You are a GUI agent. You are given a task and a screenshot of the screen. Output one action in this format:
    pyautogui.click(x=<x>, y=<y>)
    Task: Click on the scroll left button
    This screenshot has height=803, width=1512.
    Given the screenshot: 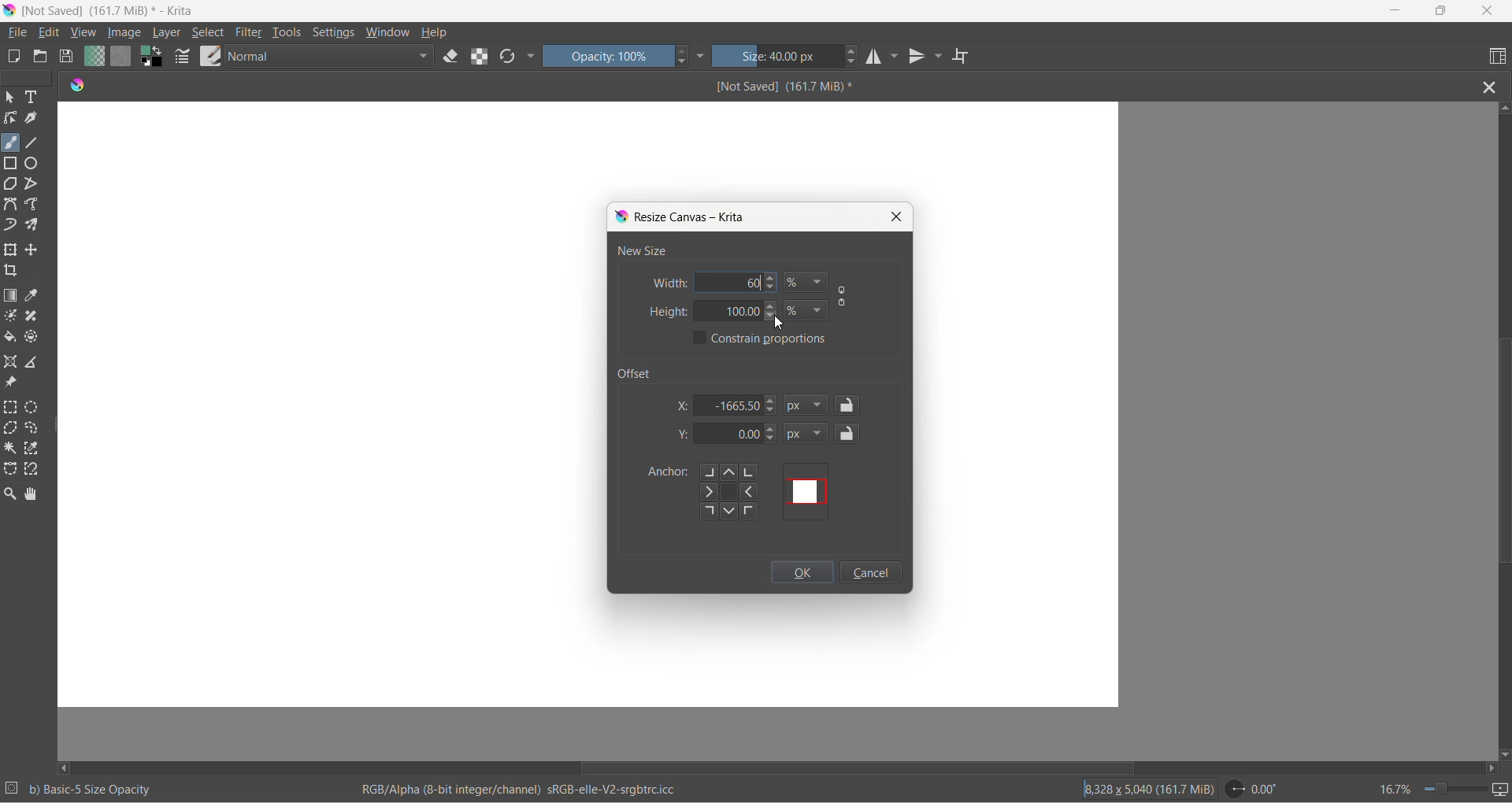 What is the action you would take?
    pyautogui.click(x=67, y=767)
    